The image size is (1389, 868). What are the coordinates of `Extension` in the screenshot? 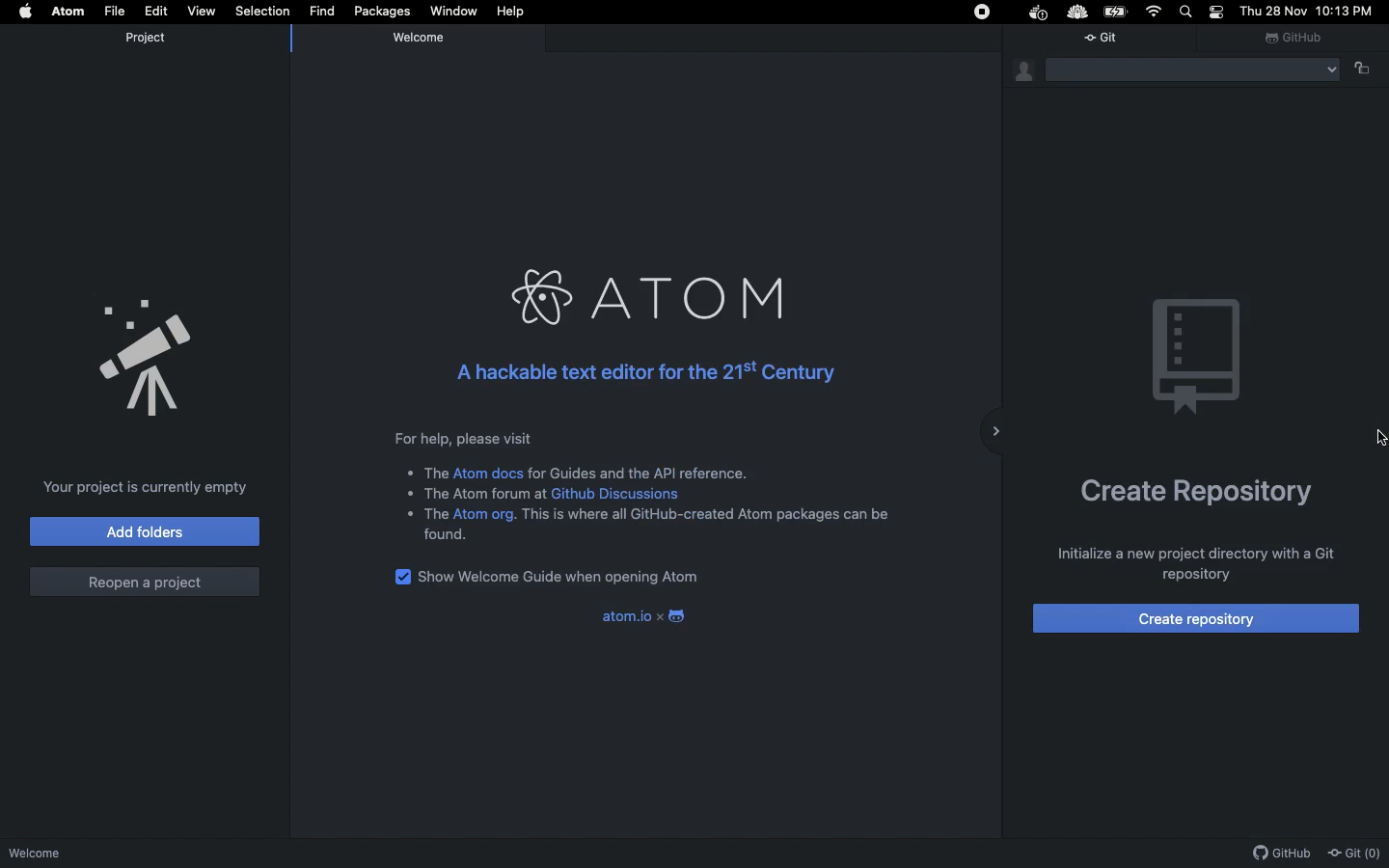 It's located at (1078, 12).